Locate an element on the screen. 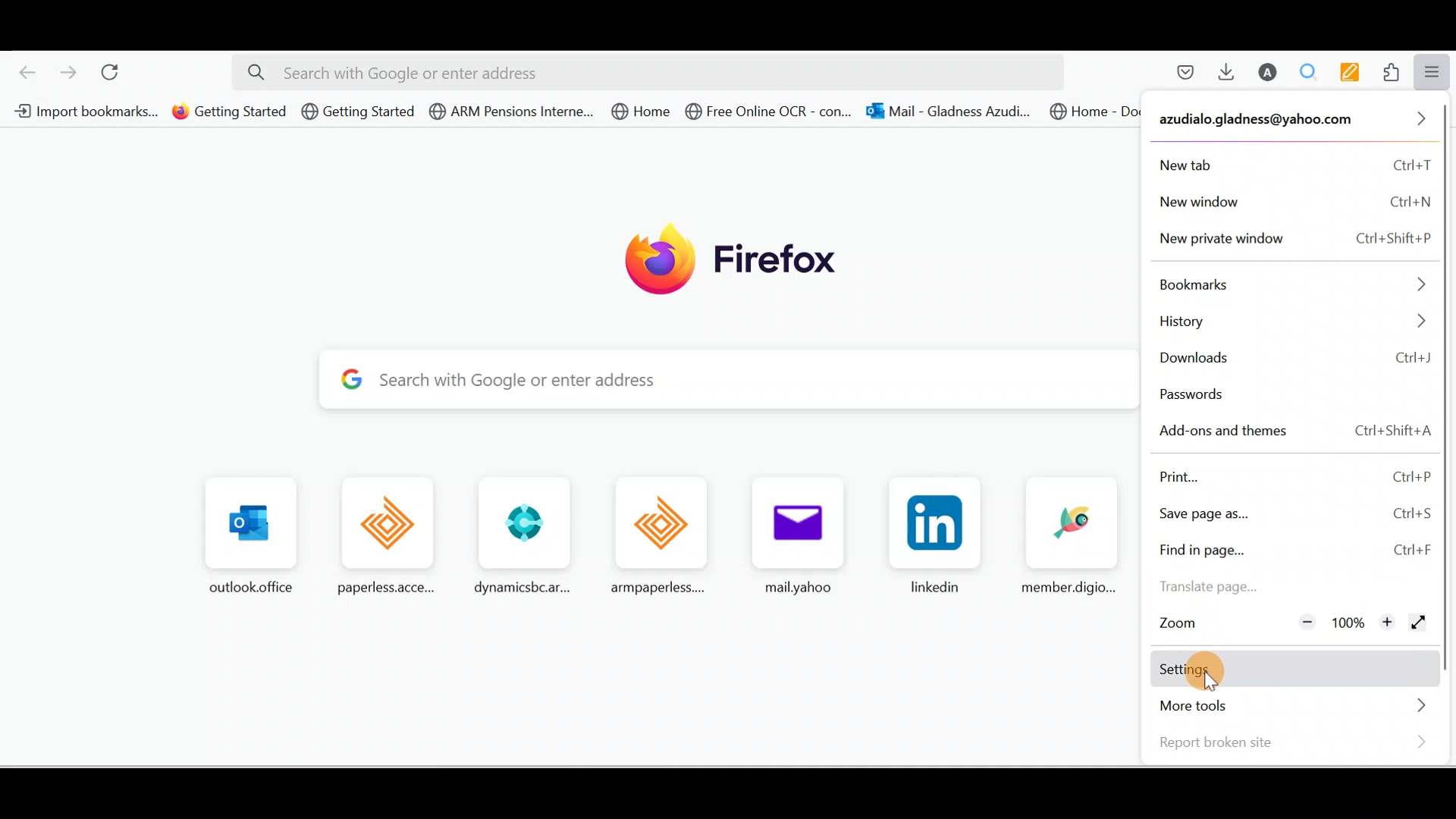 The height and width of the screenshot is (819, 1456). History is located at coordinates (1298, 325).